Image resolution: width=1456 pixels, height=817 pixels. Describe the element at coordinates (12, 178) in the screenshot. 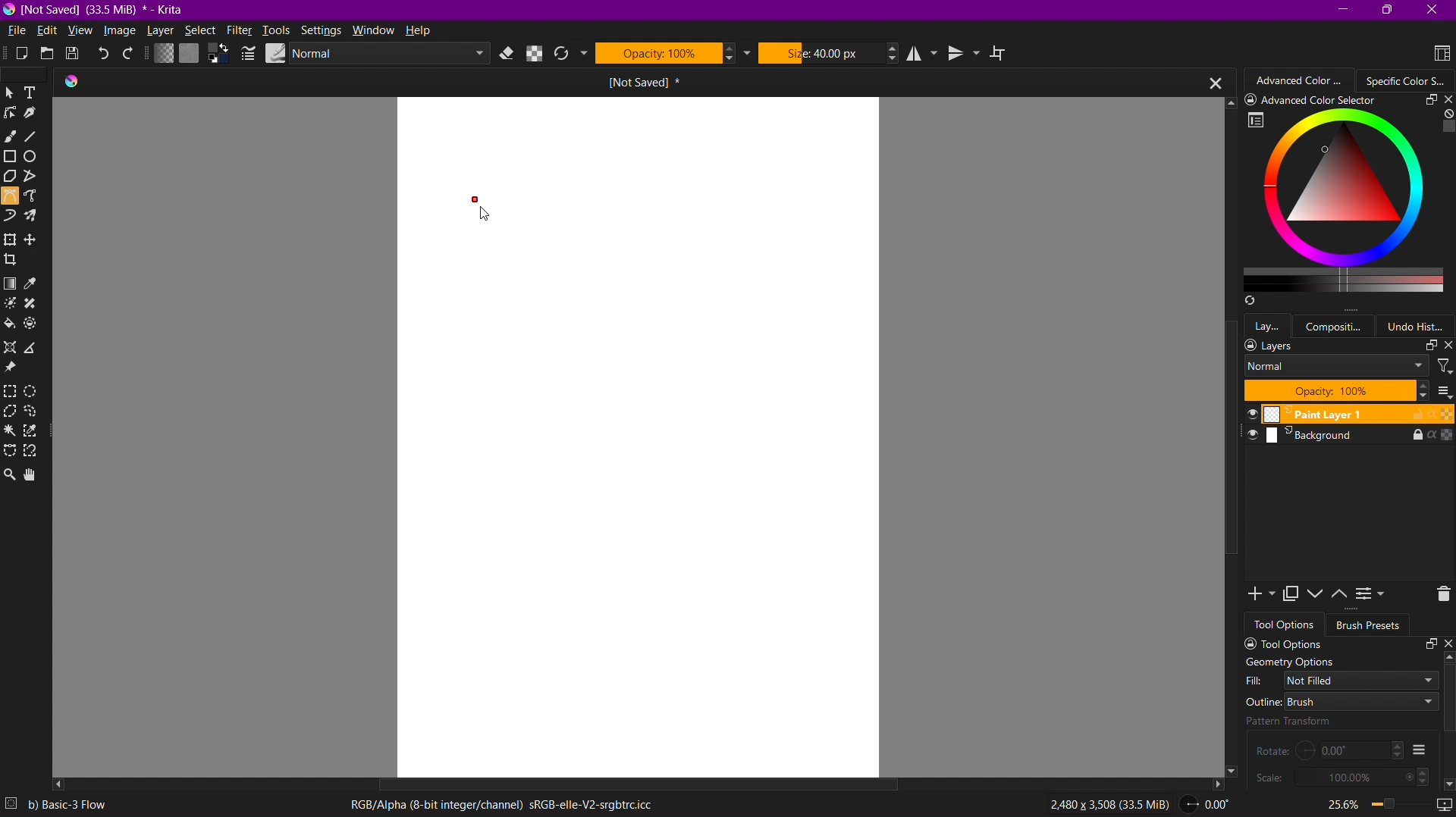

I see `Polygon Tool` at that location.